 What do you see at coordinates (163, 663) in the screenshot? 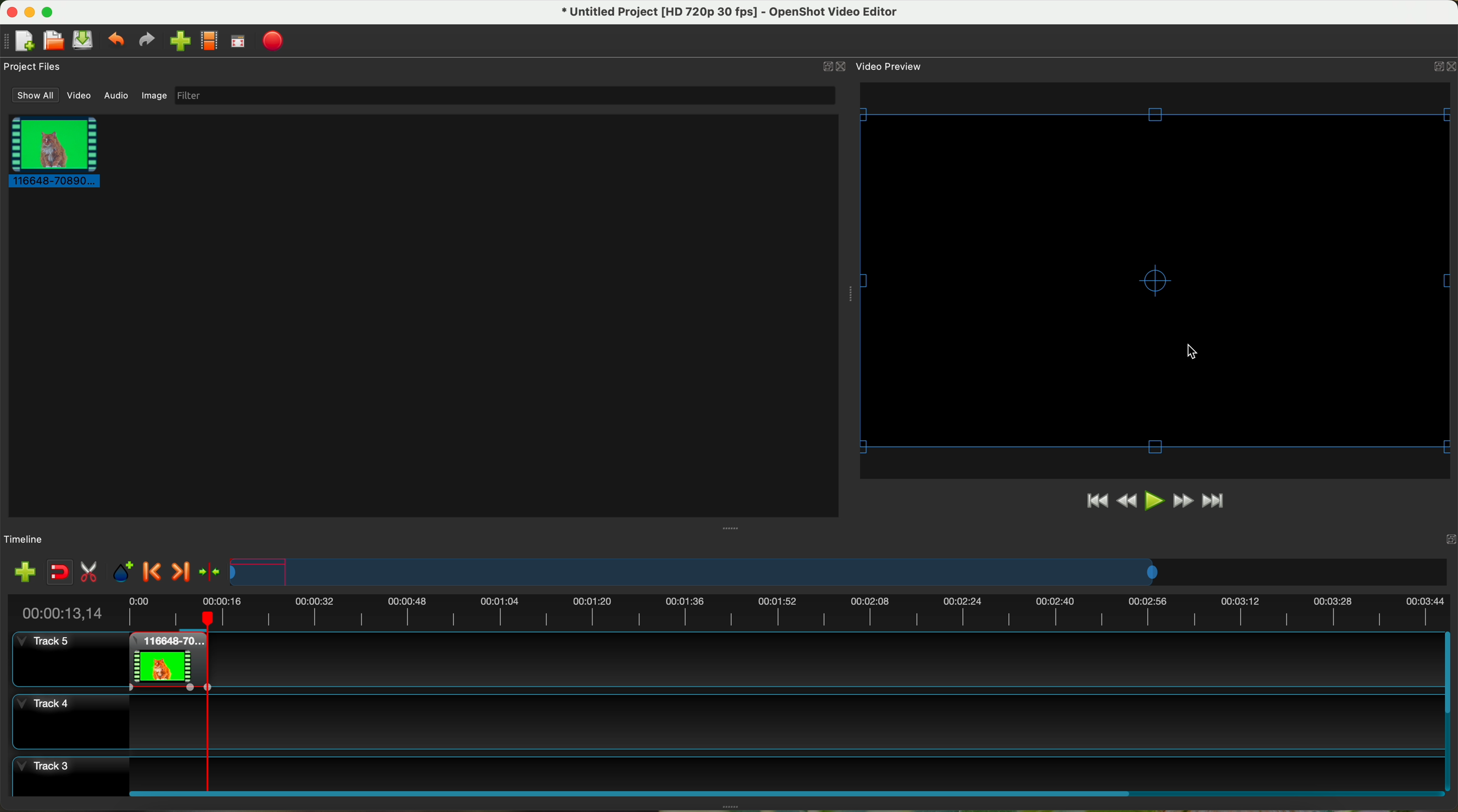
I see `right click` at bounding box center [163, 663].